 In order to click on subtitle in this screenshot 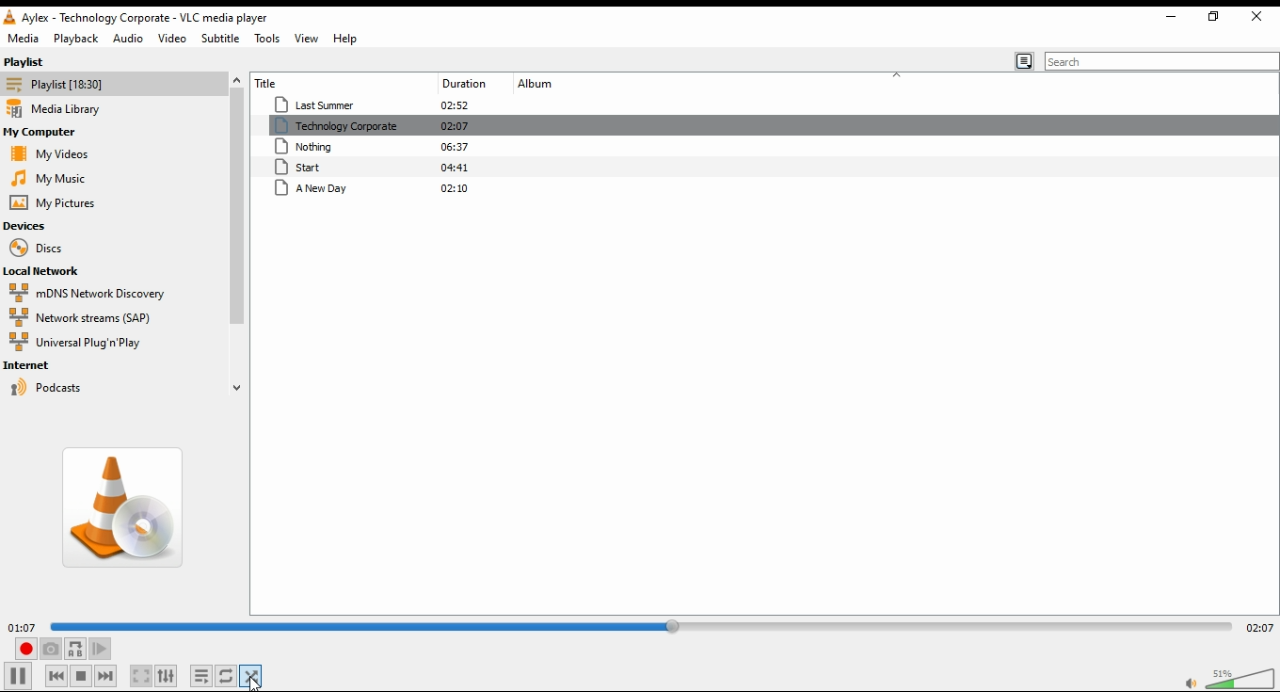, I will do `click(218, 41)`.